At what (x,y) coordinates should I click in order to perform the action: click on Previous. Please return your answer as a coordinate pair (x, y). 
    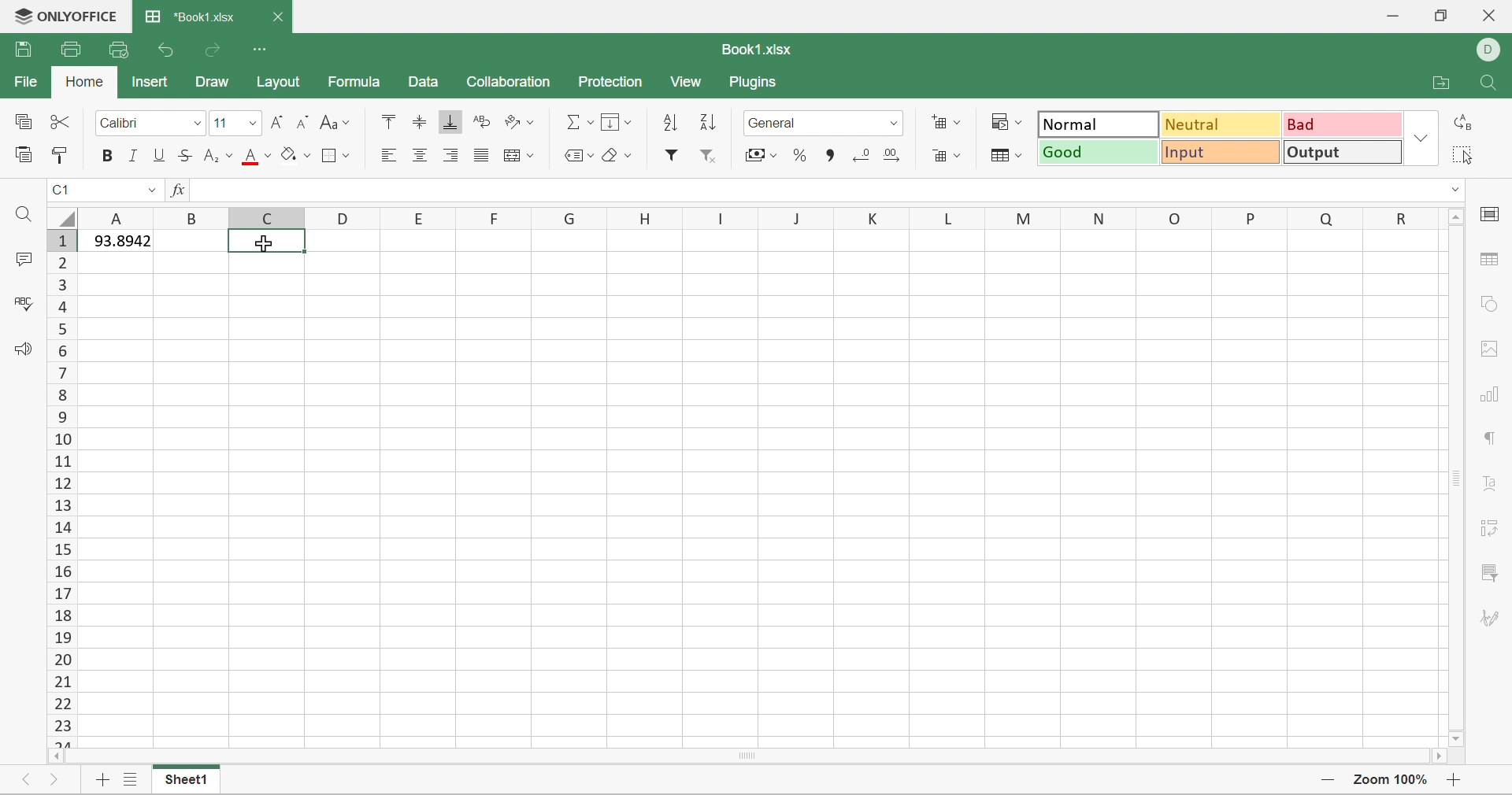
    Looking at the image, I should click on (28, 780).